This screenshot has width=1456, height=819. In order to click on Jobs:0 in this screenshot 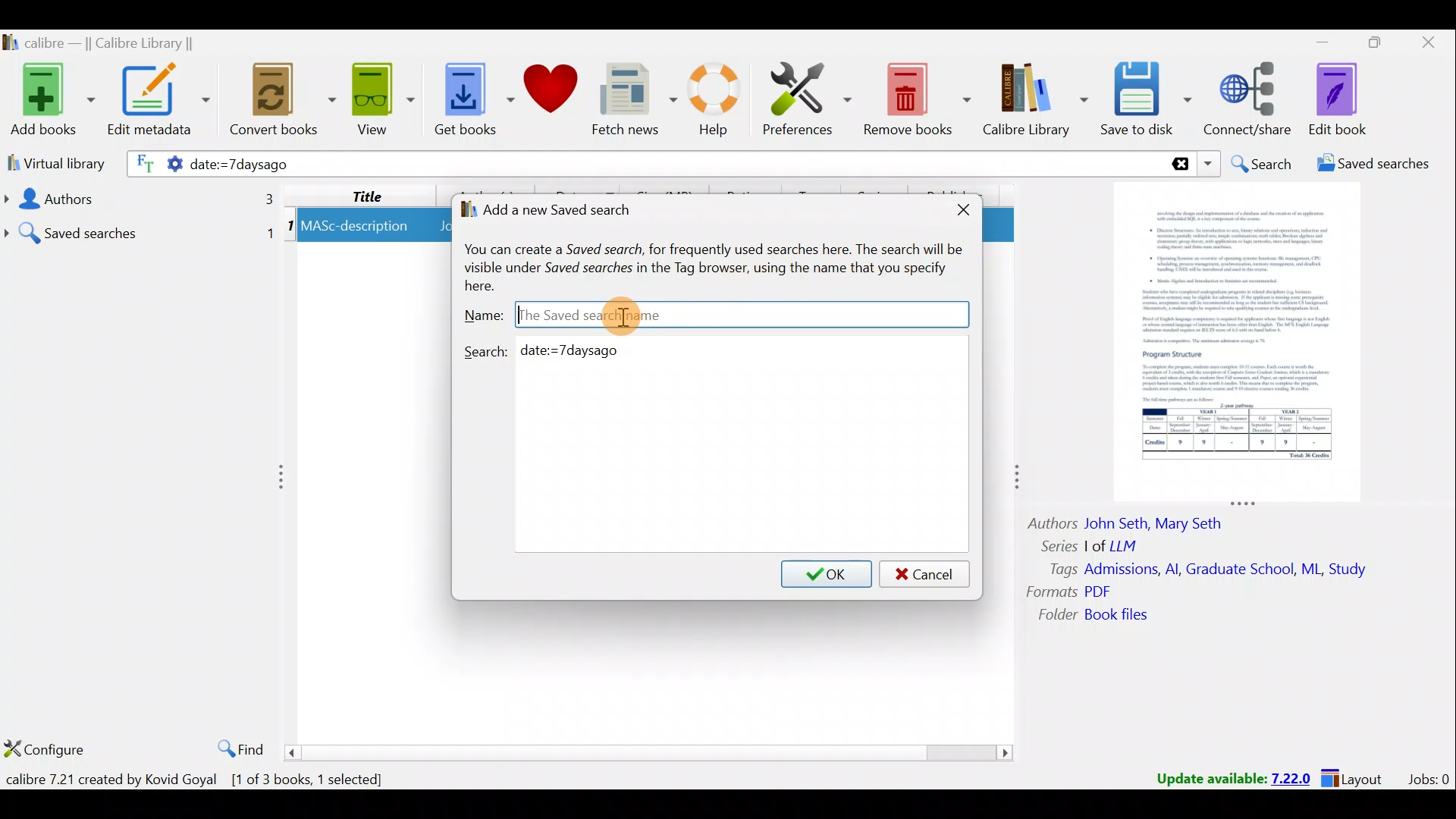, I will do `click(1428, 778)`.